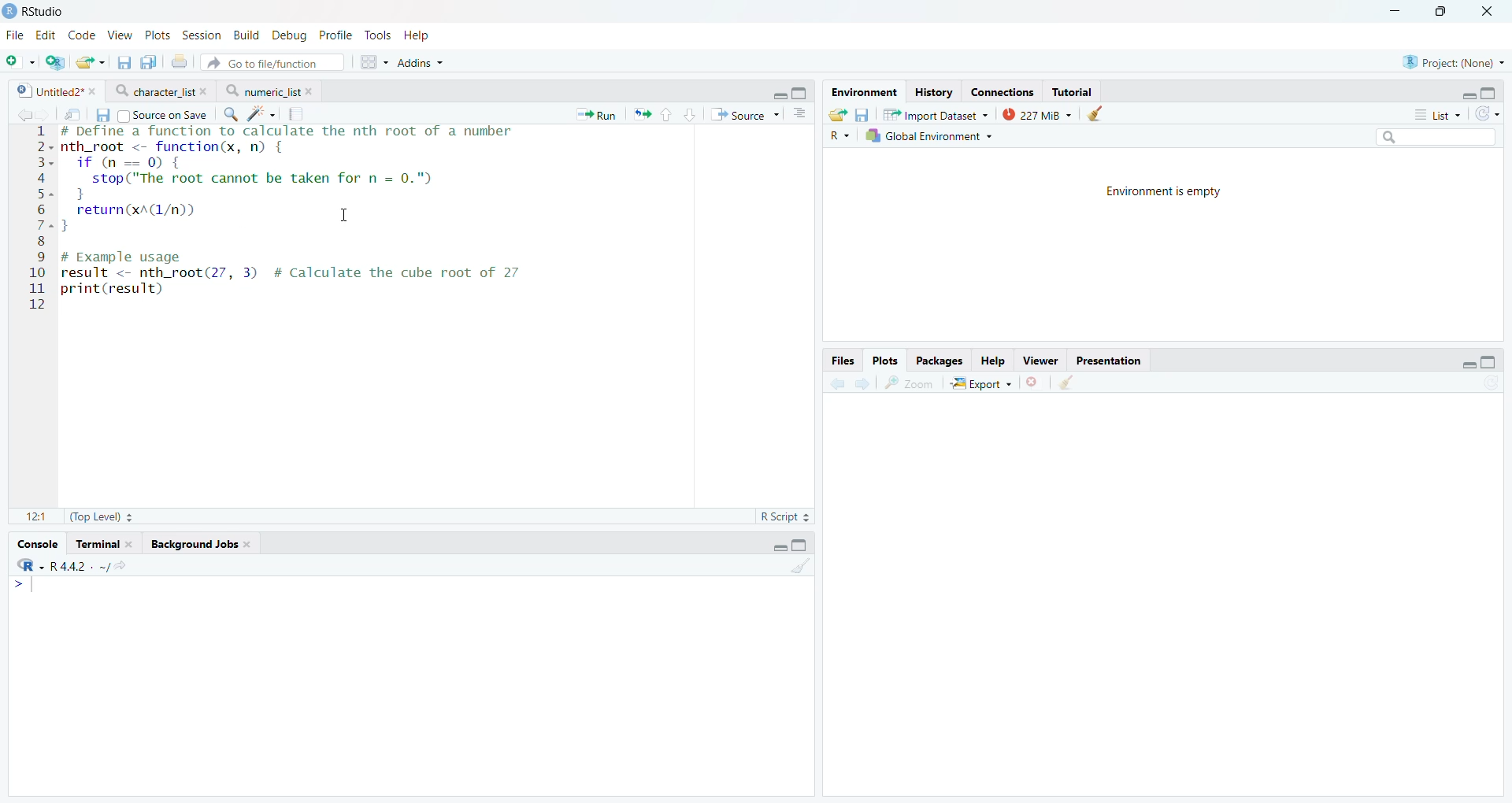  What do you see at coordinates (47, 34) in the screenshot?
I see `Edit` at bounding box center [47, 34].